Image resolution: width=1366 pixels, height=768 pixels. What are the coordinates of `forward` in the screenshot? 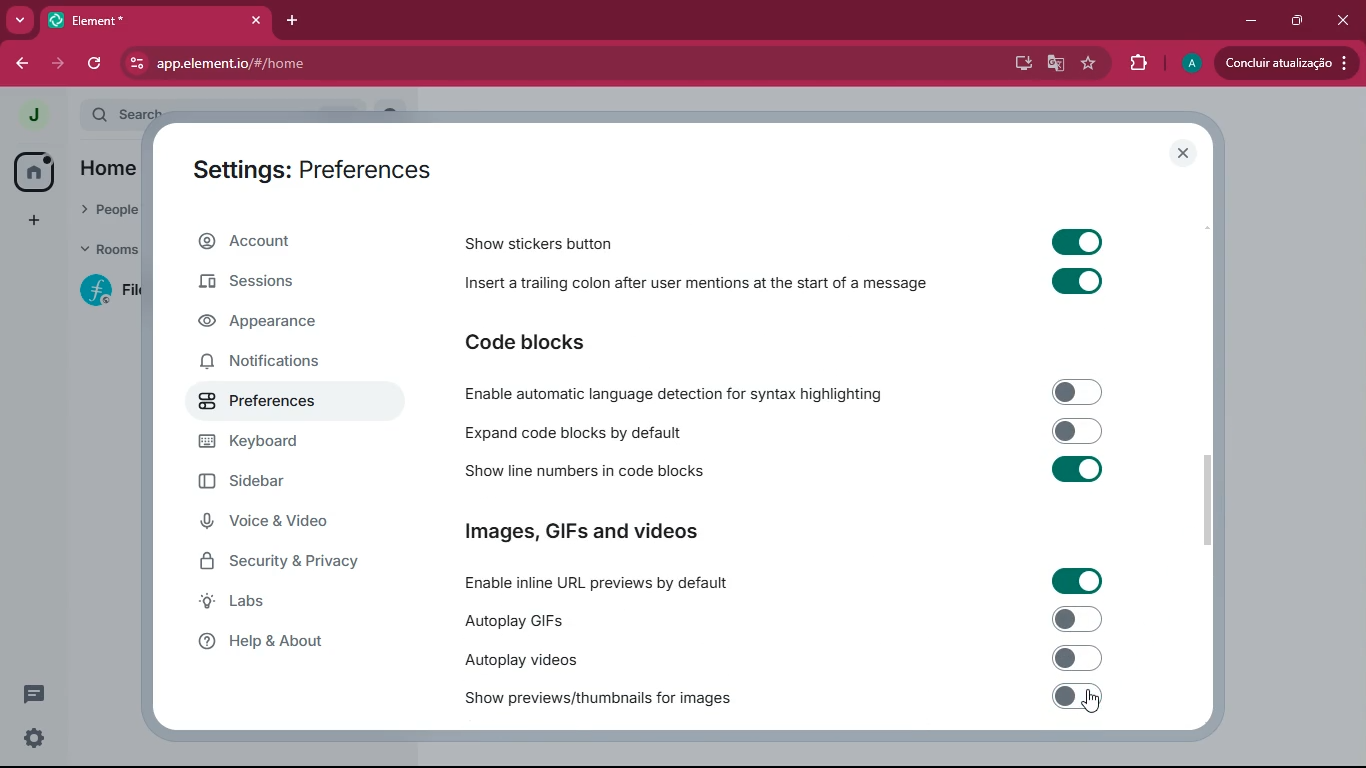 It's located at (56, 65).